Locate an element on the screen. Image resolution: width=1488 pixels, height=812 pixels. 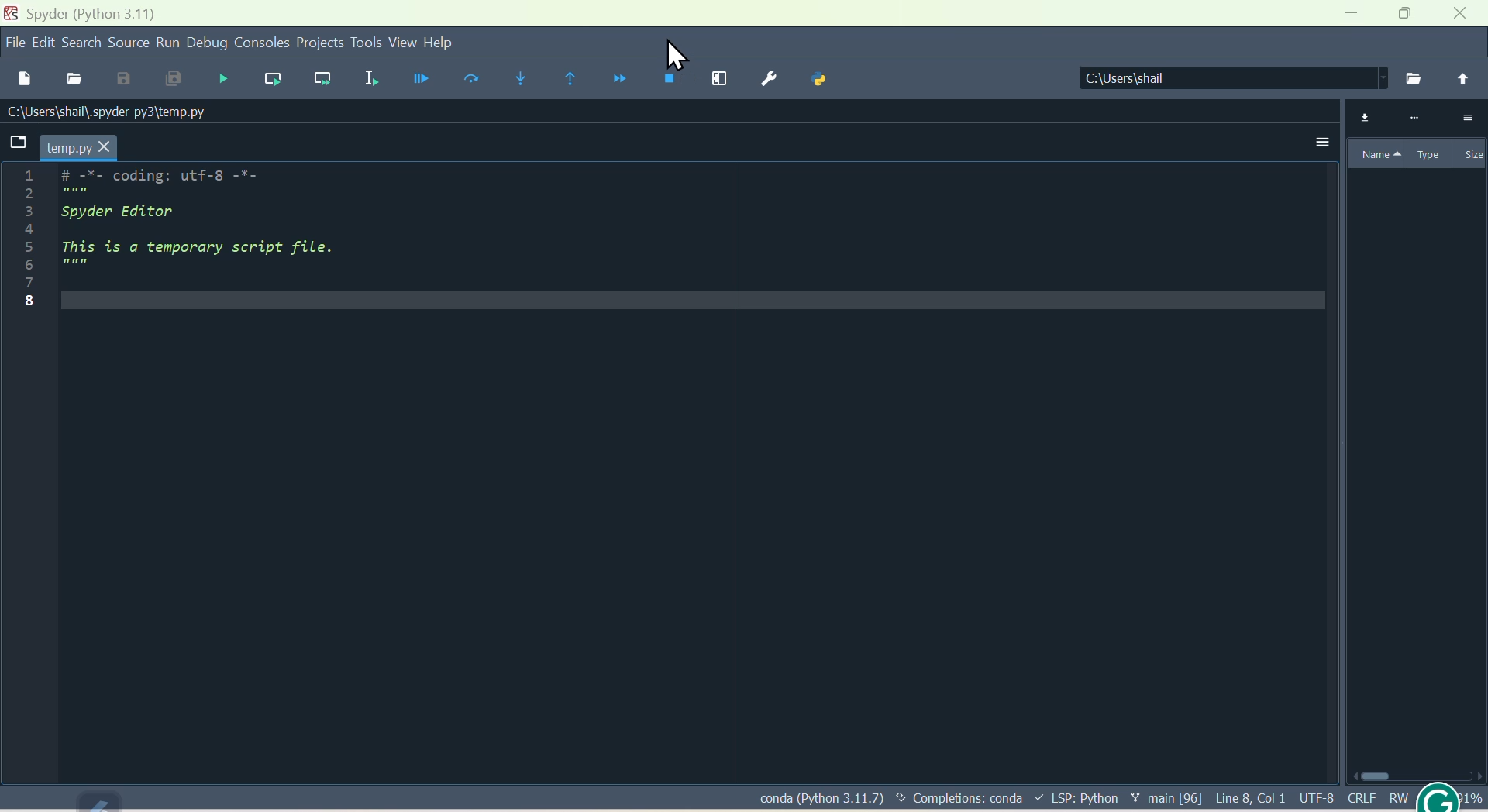
Python path manager is located at coordinates (831, 79).